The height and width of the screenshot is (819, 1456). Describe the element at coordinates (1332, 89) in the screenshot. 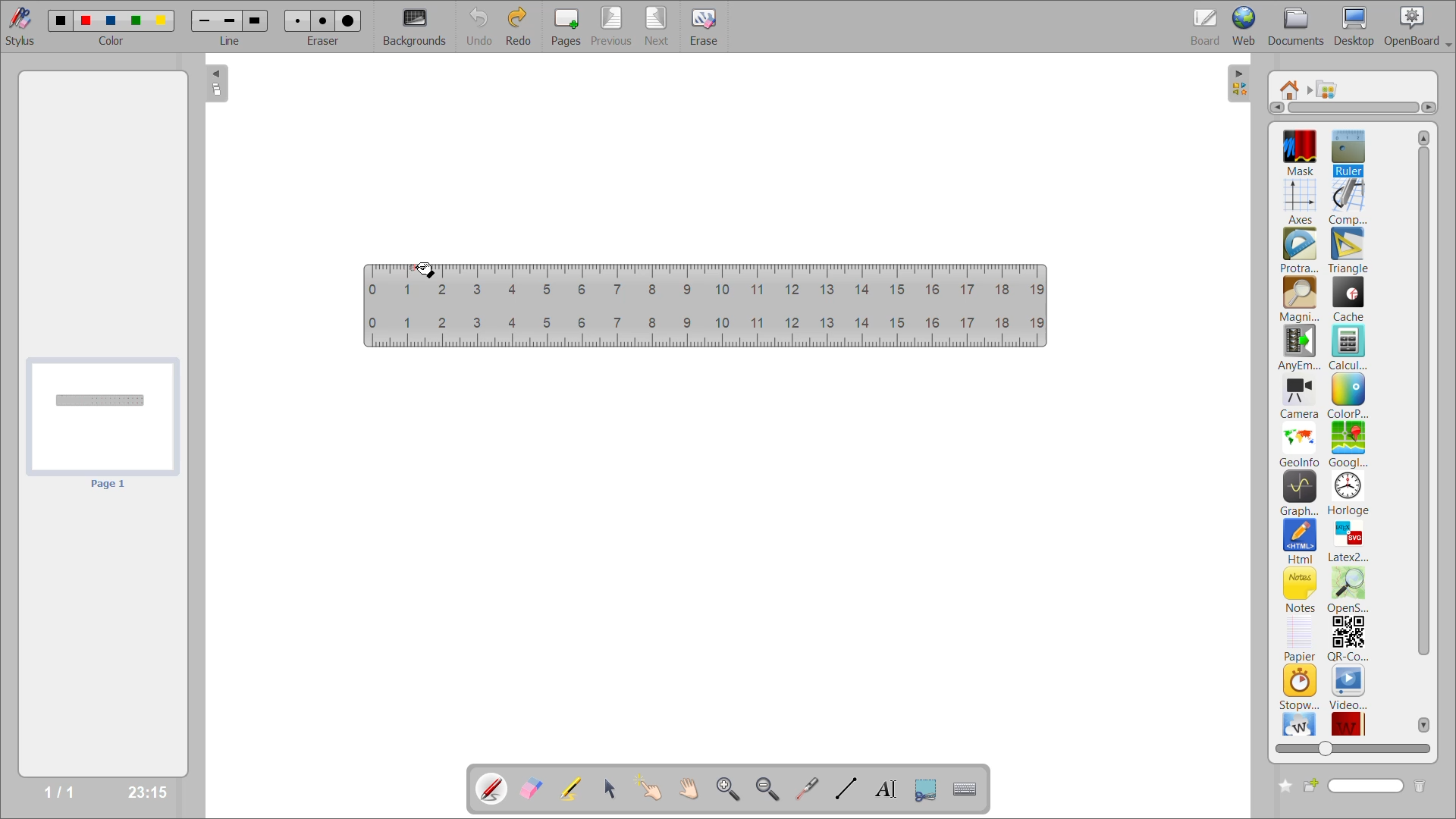

I see `applications` at that location.